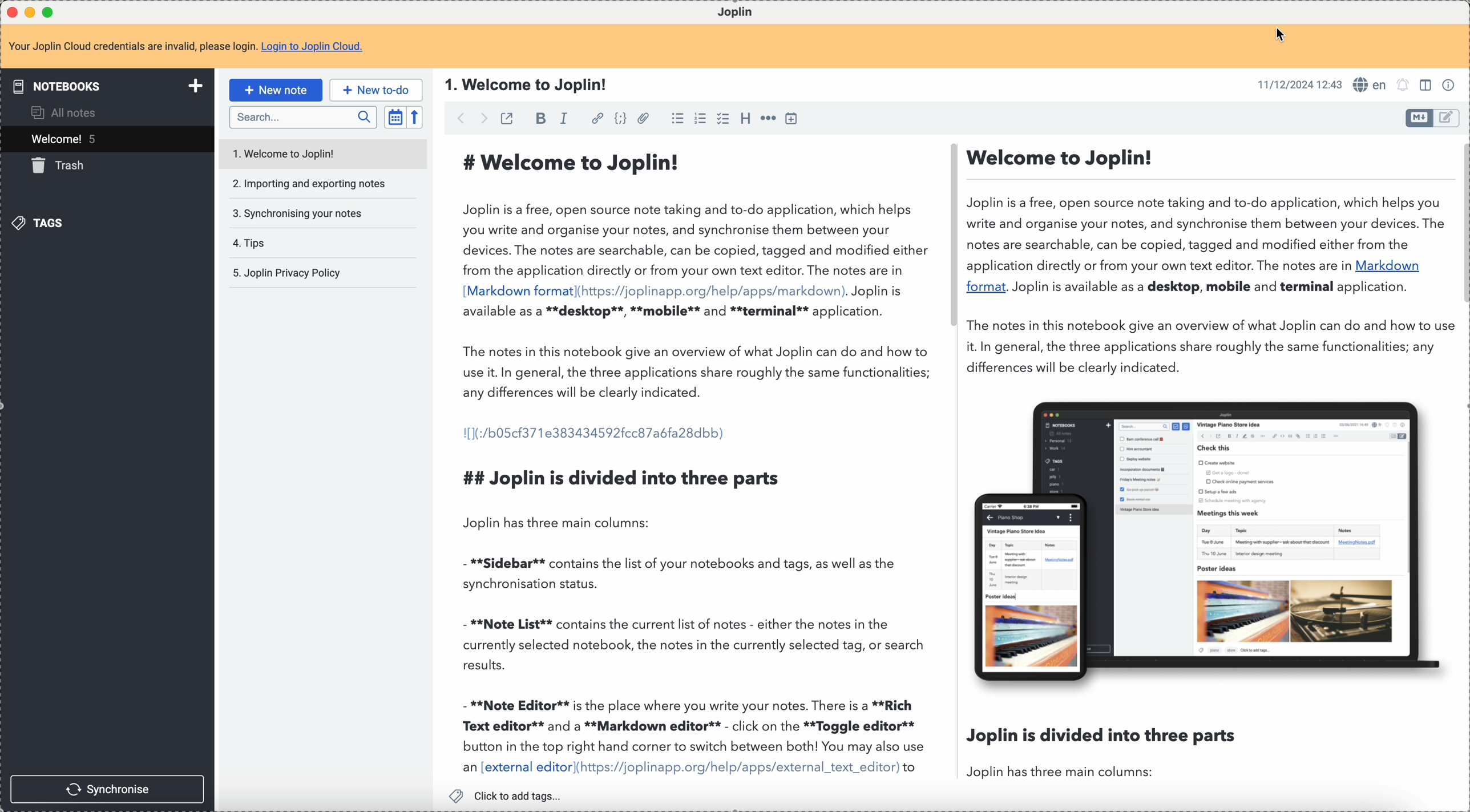  Describe the element at coordinates (1299, 84) in the screenshot. I see `11/12/2024 12:43` at that location.